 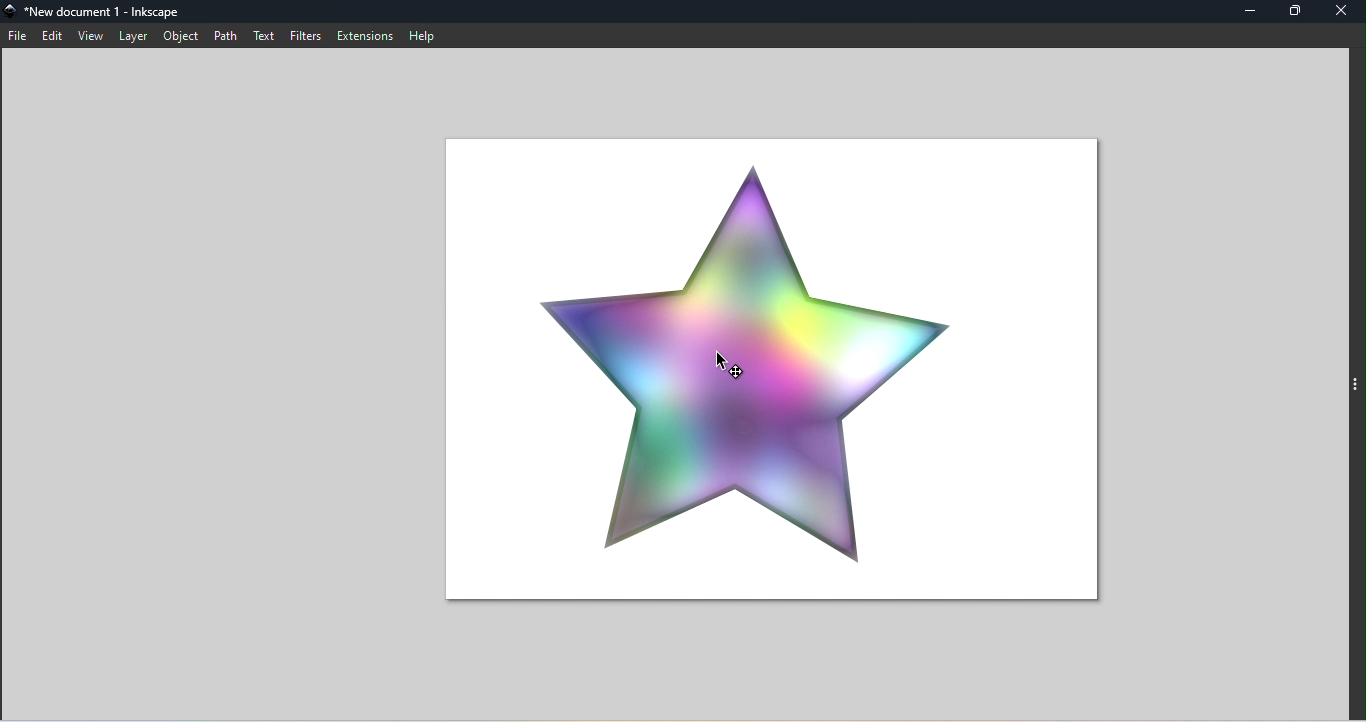 I want to click on Help, so click(x=424, y=36).